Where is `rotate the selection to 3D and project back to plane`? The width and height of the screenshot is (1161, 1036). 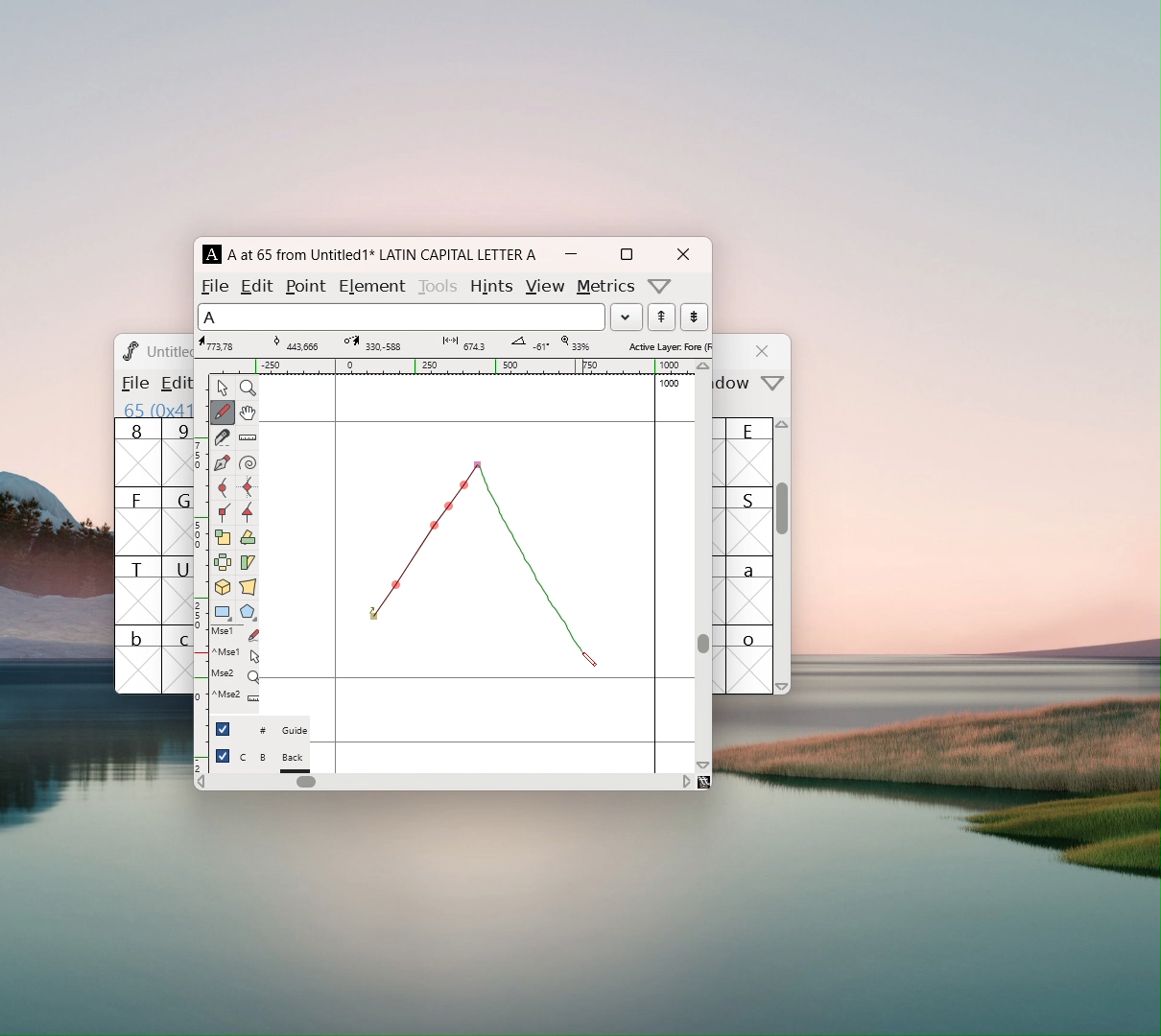
rotate the selection to 3D and project back to plane is located at coordinates (223, 589).